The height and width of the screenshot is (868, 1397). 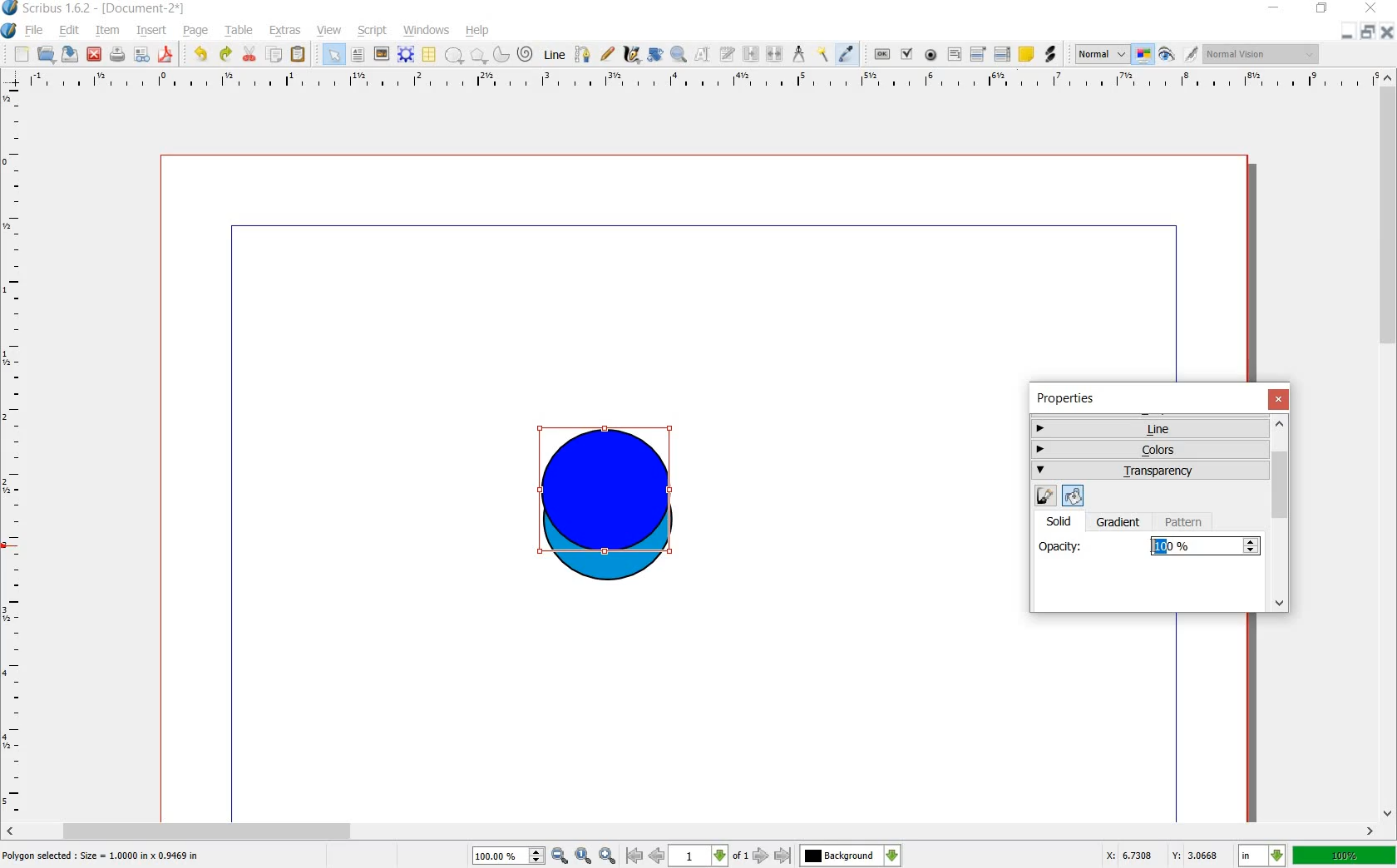 What do you see at coordinates (1374, 8) in the screenshot?
I see `close` at bounding box center [1374, 8].